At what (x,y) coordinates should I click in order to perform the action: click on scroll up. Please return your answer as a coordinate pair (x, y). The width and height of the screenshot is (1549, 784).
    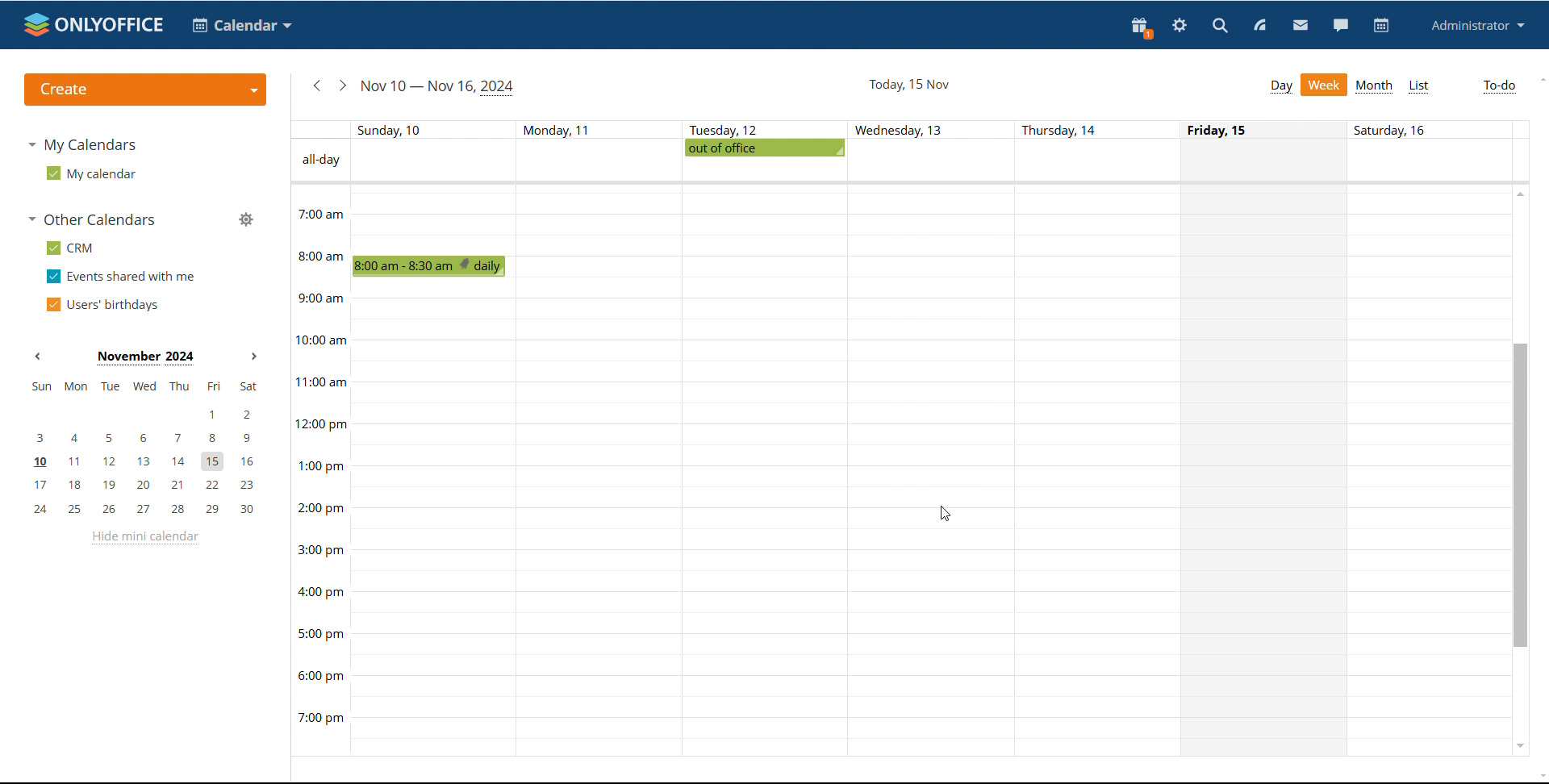
    Looking at the image, I should click on (1519, 194).